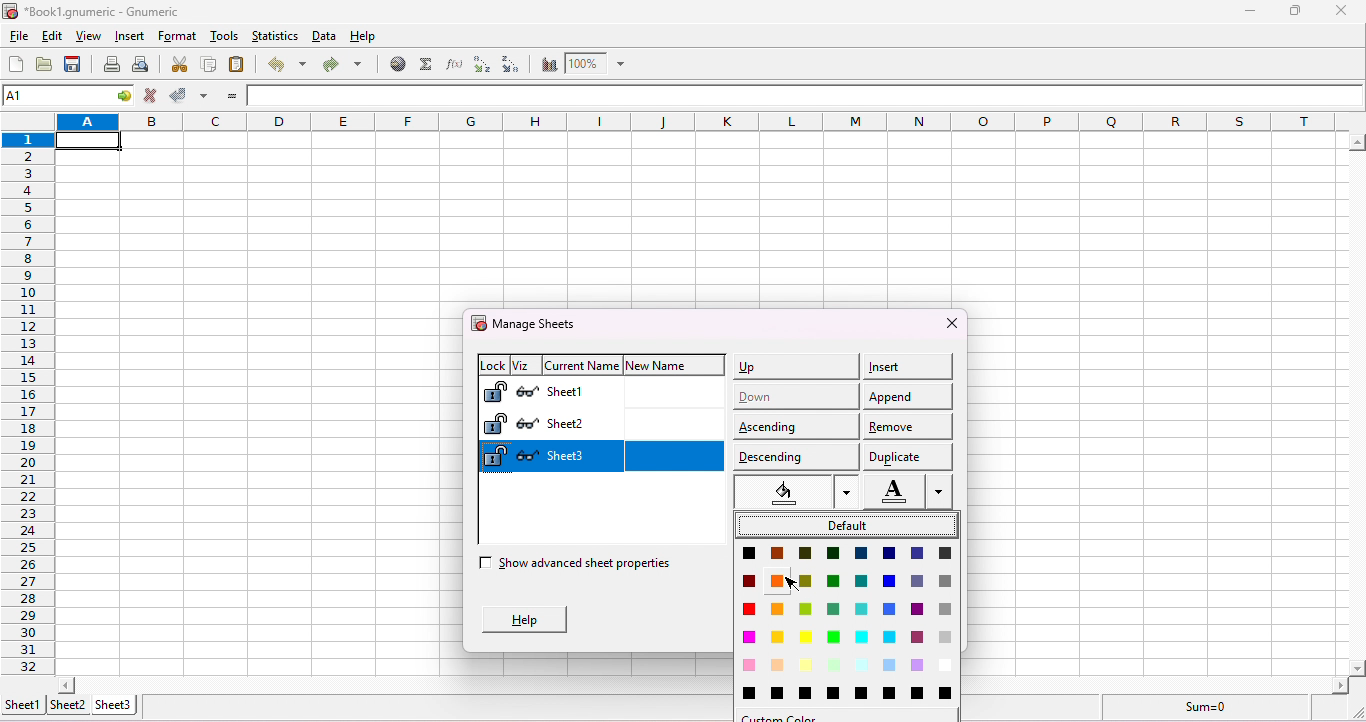 The image size is (1366, 722). What do you see at coordinates (326, 32) in the screenshot?
I see `data` at bounding box center [326, 32].